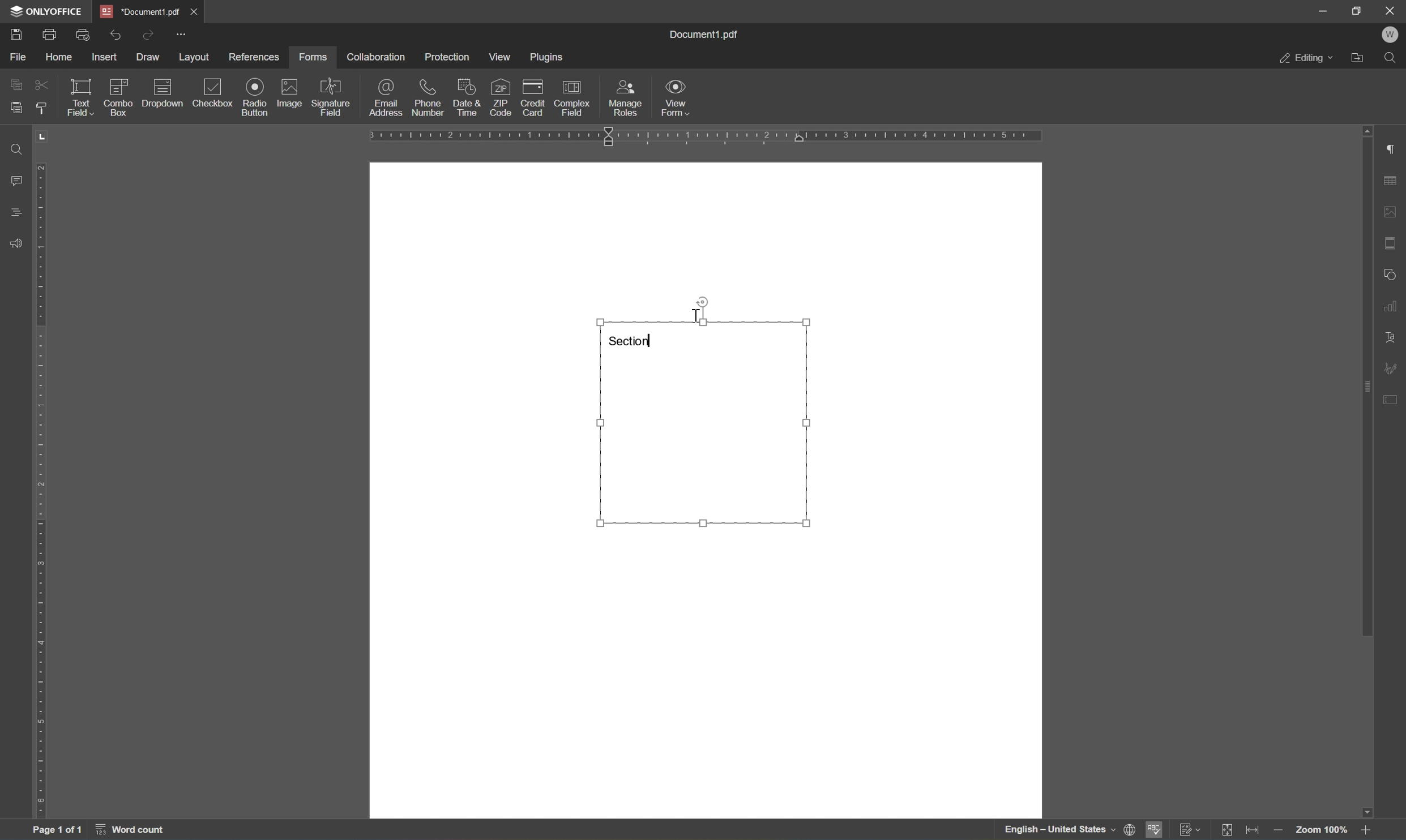  What do you see at coordinates (1307, 61) in the screenshot?
I see `editing` at bounding box center [1307, 61].